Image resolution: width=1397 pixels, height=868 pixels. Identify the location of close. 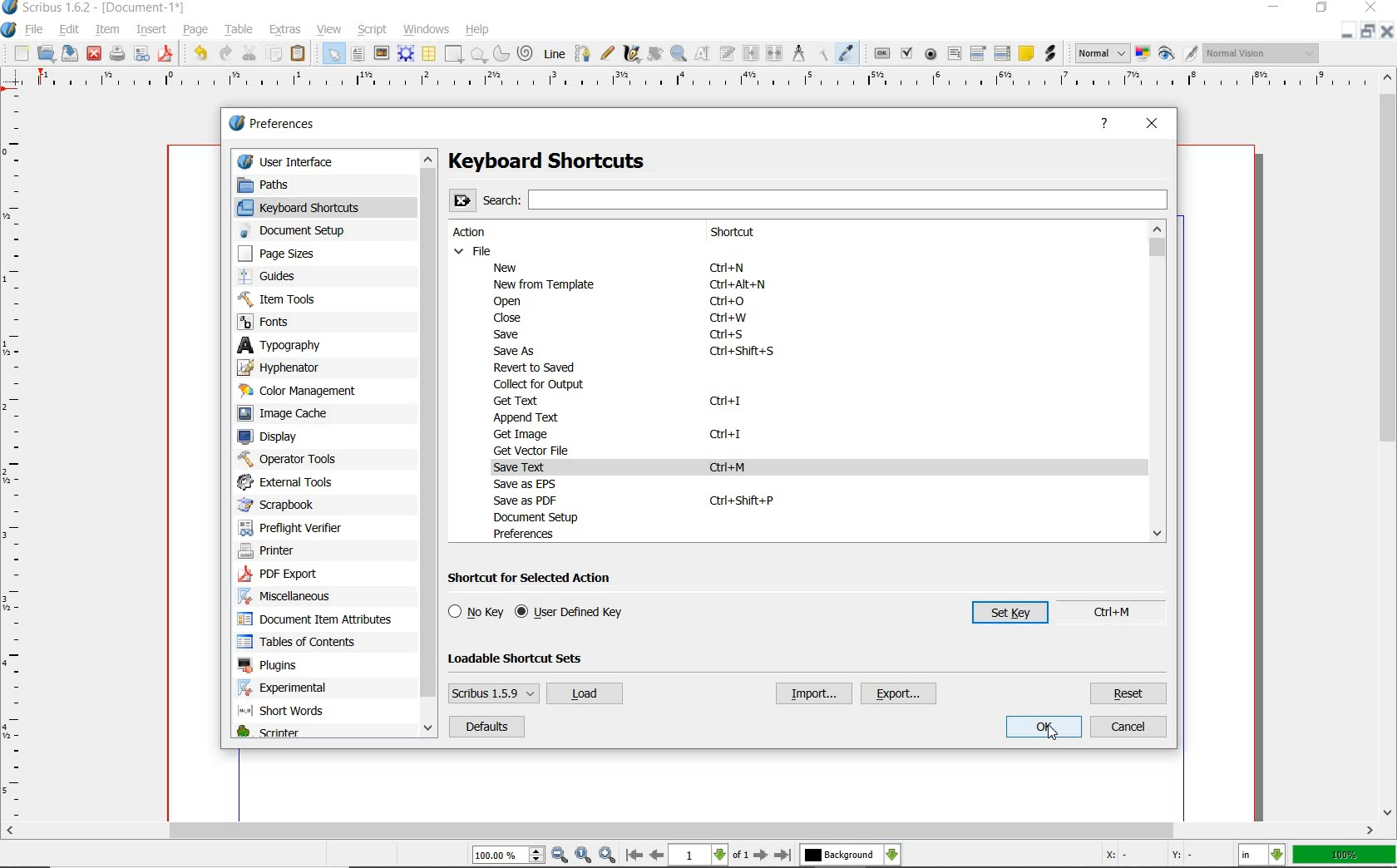
(1387, 31).